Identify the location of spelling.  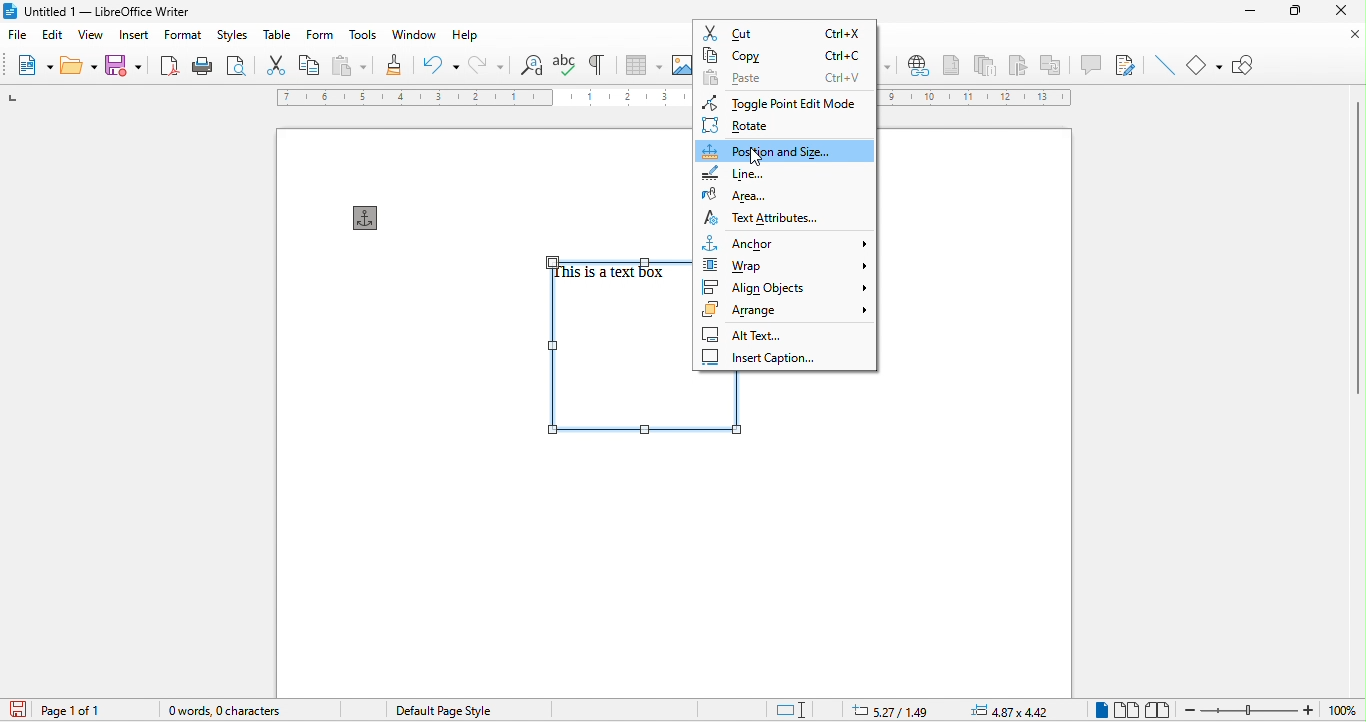
(564, 65).